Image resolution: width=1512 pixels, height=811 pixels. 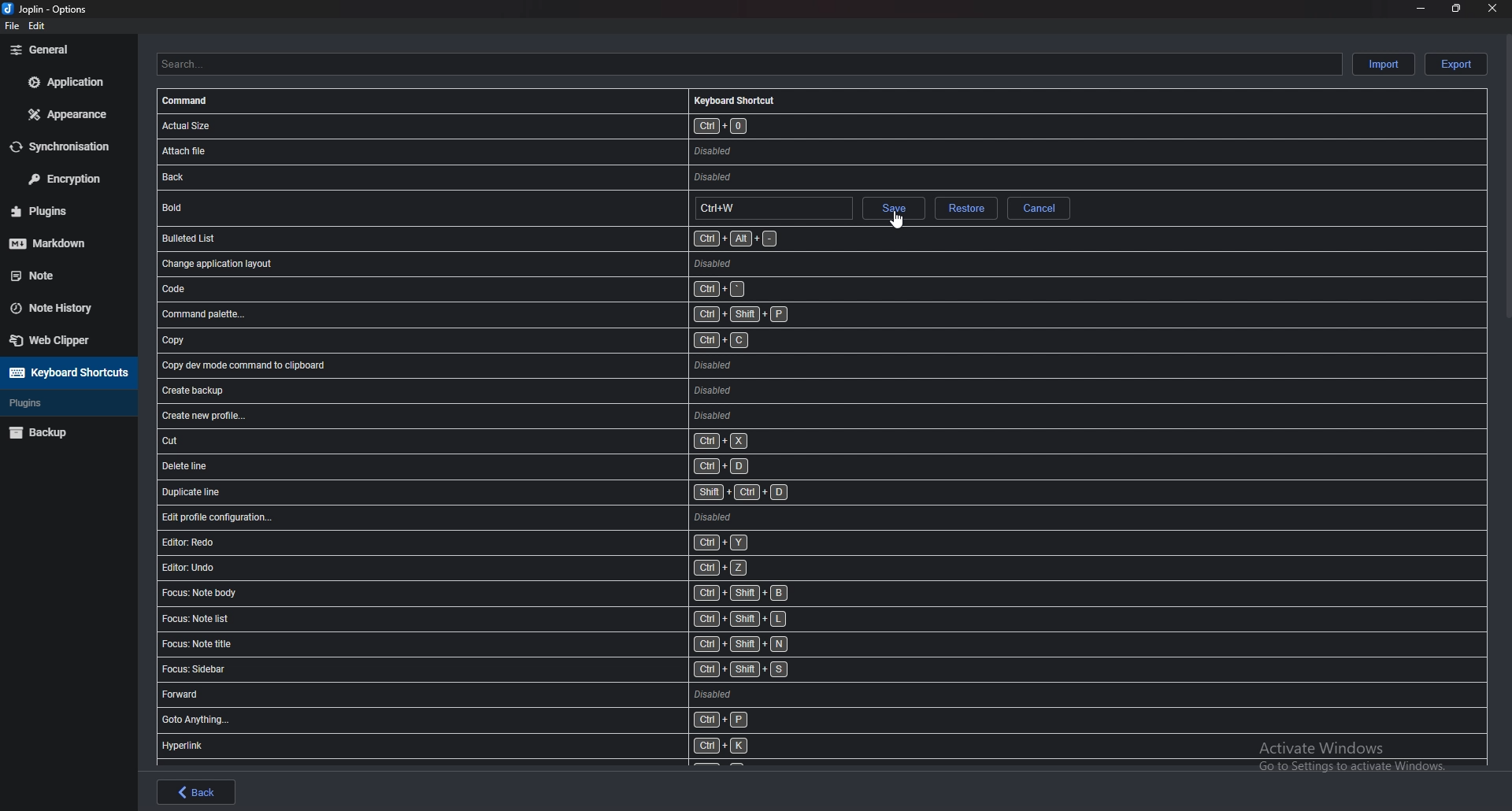 What do you see at coordinates (1040, 207) in the screenshot?
I see `Cancel` at bounding box center [1040, 207].